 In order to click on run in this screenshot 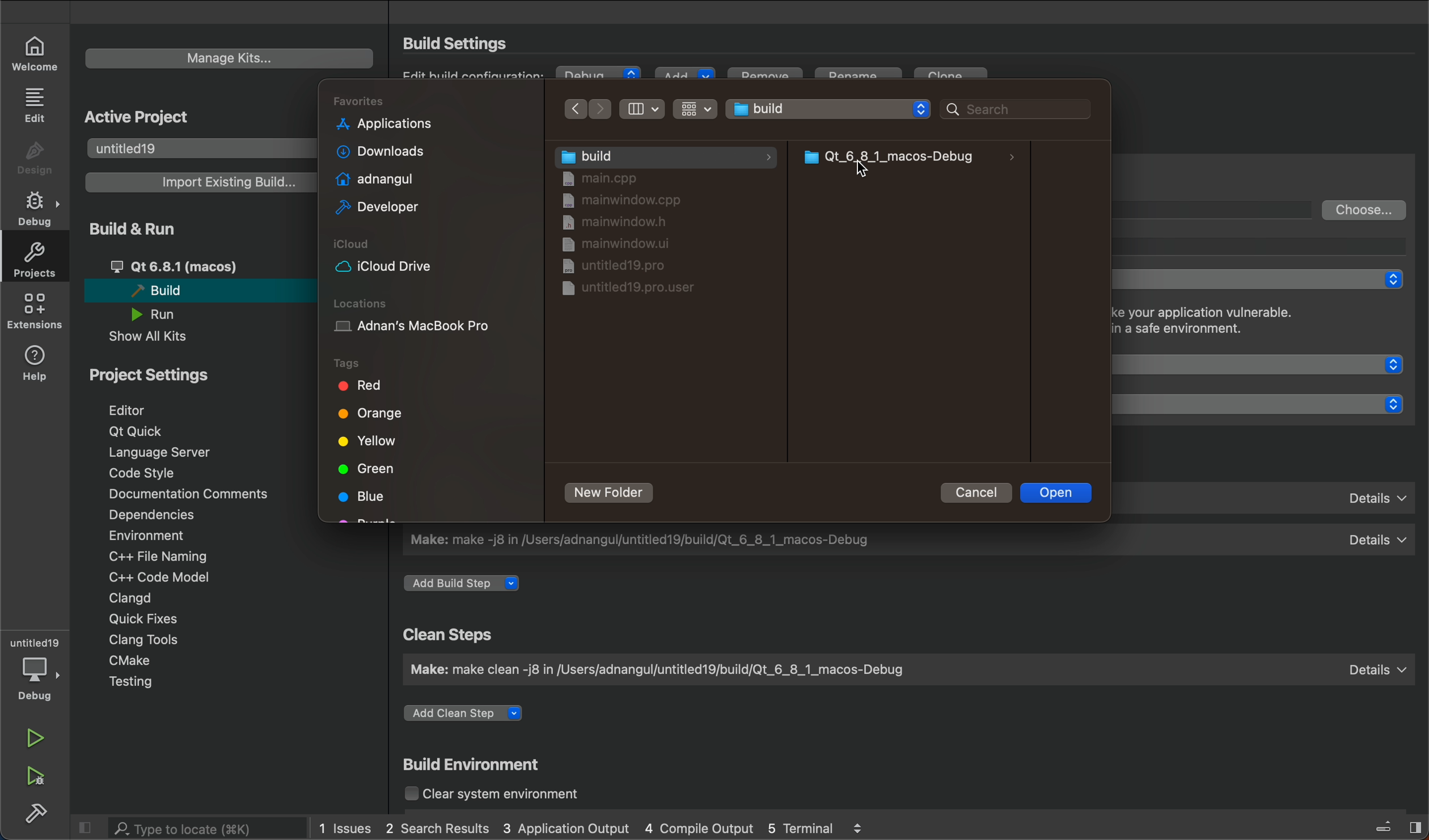, I will do `click(38, 739)`.